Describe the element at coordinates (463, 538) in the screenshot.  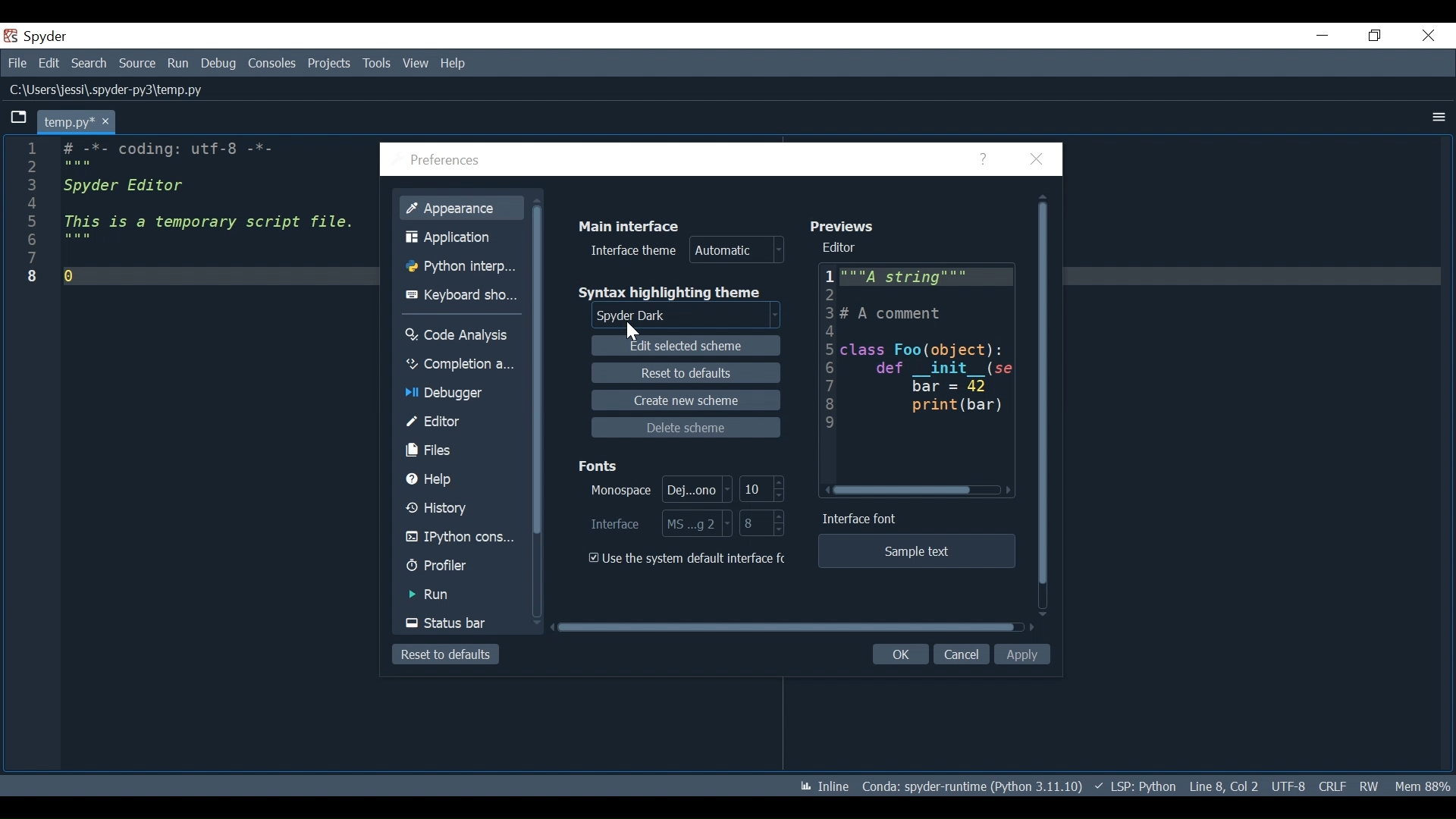
I see `IPython Console` at that location.